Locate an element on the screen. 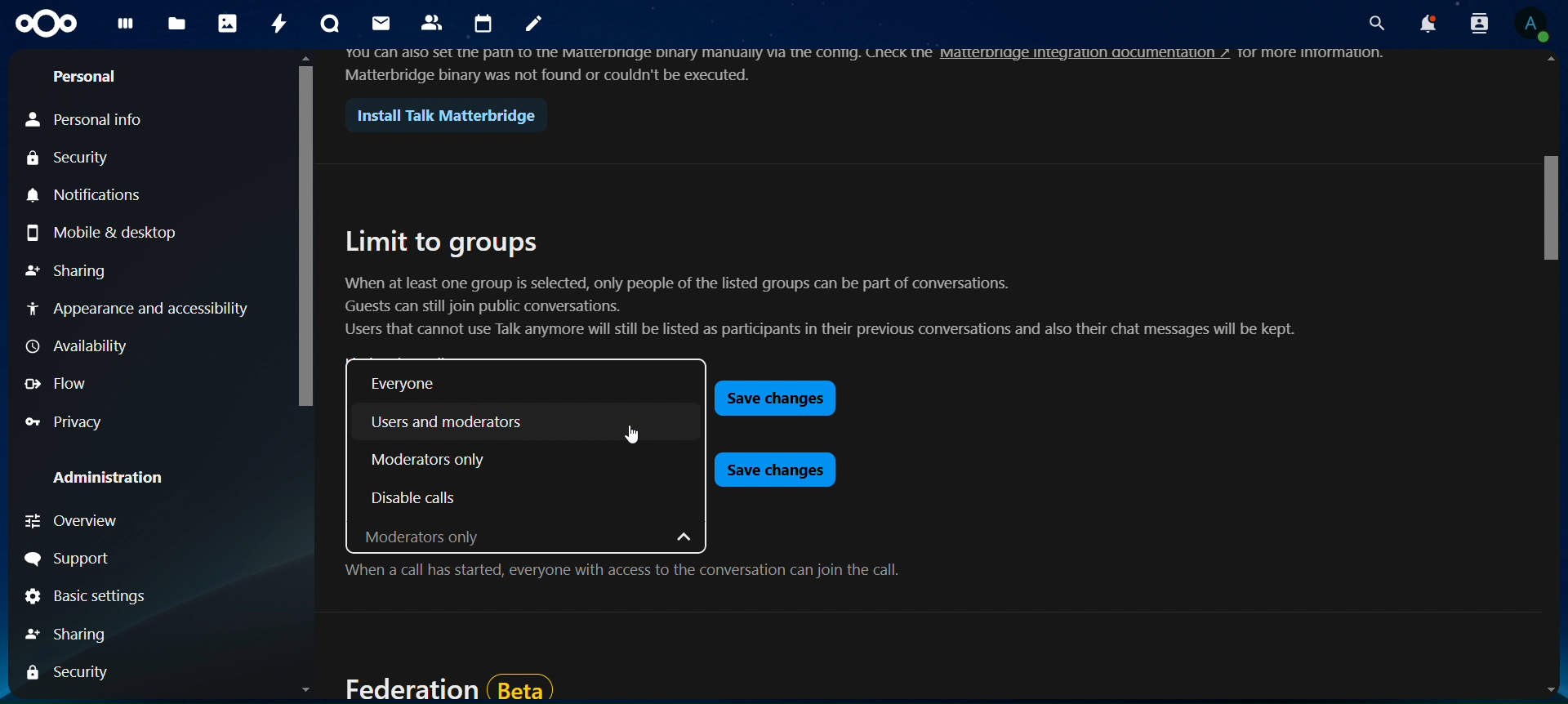 The image size is (1568, 704). flow is located at coordinates (65, 382).